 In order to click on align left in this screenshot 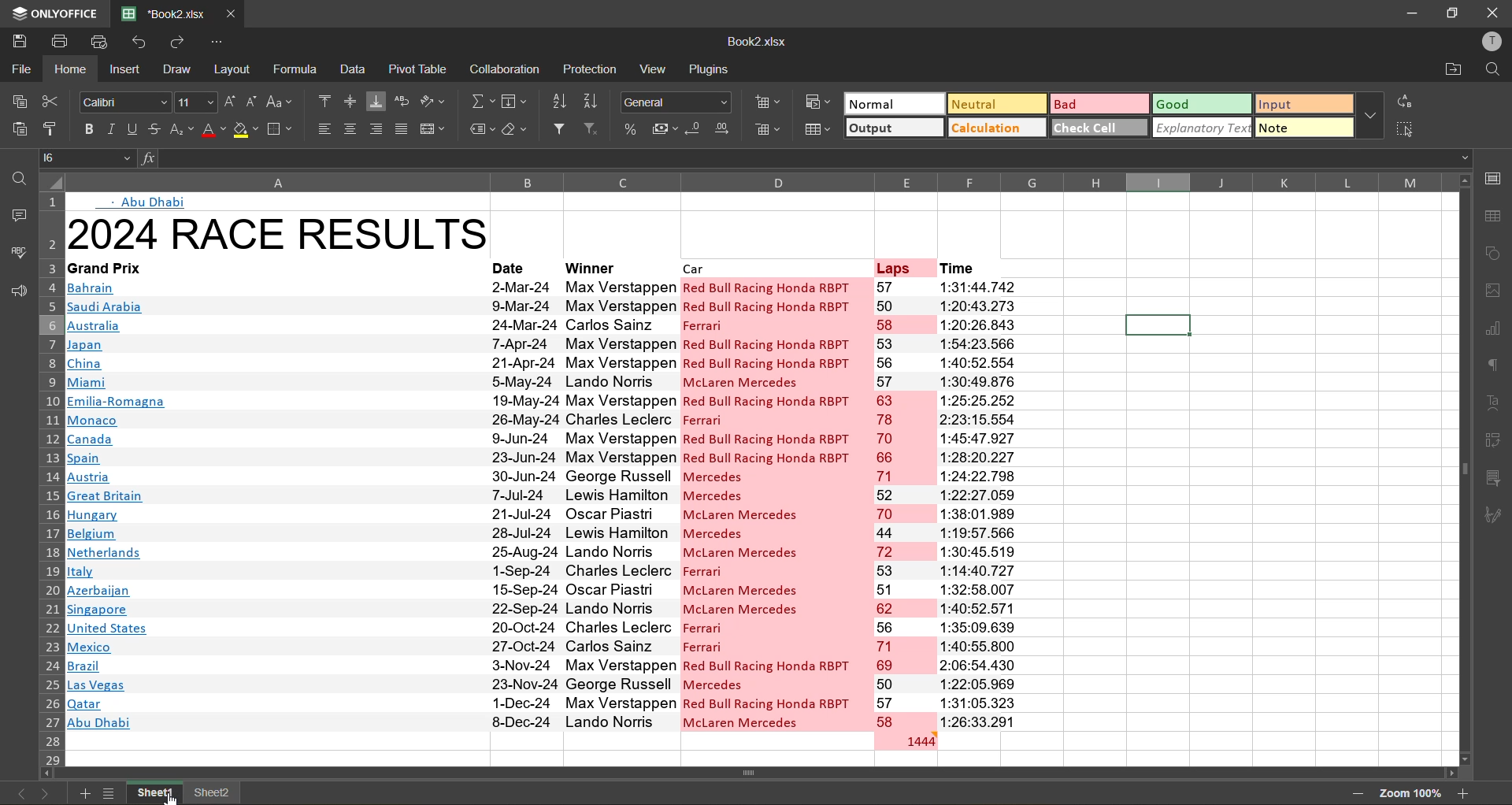, I will do `click(322, 131)`.